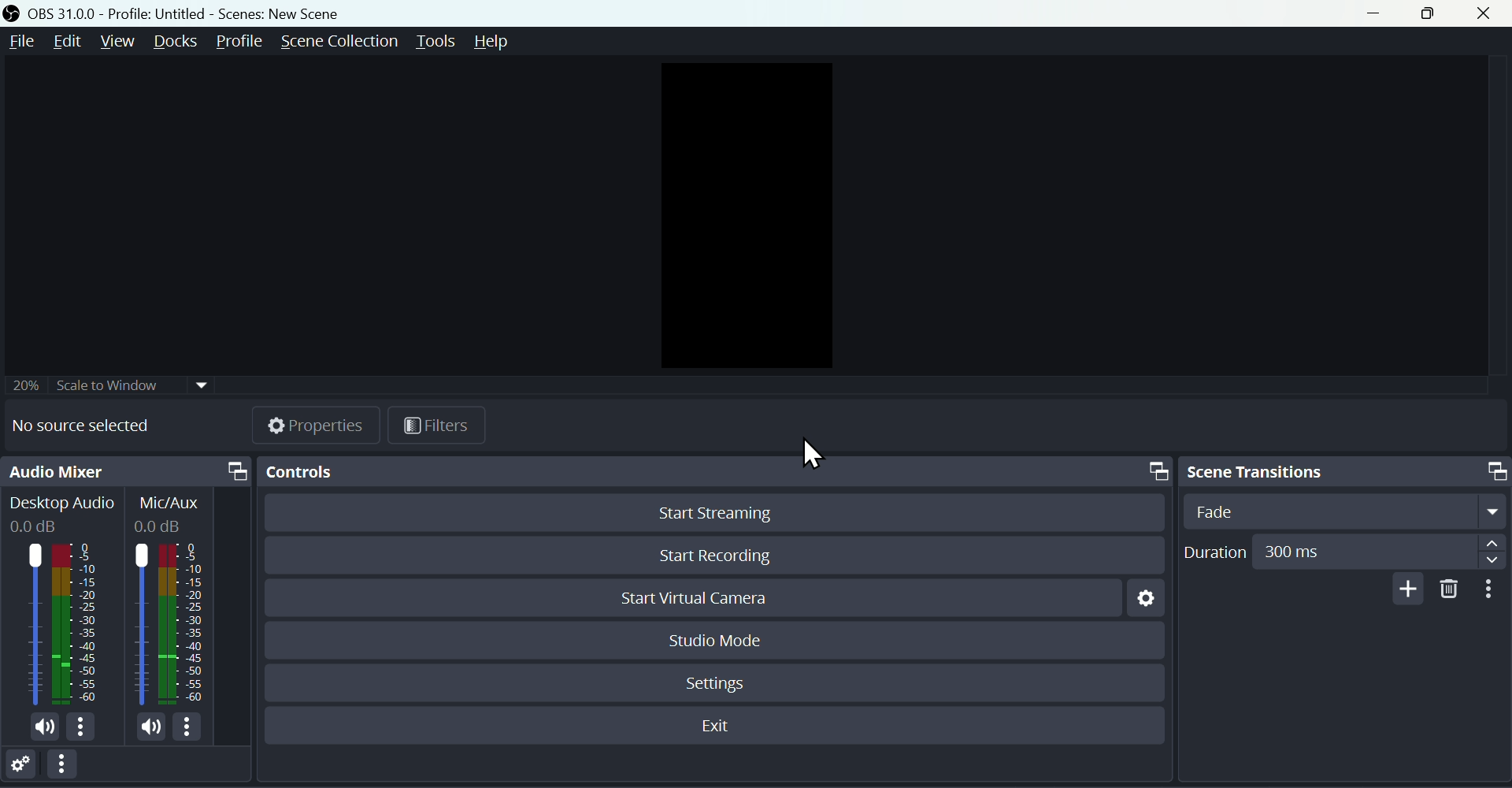 Image resolution: width=1512 pixels, height=788 pixels. What do you see at coordinates (180, 13) in the screenshot?
I see `OBS 30.0 .0 Profile: untitled, Scenes: New scenes` at bounding box center [180, 13].